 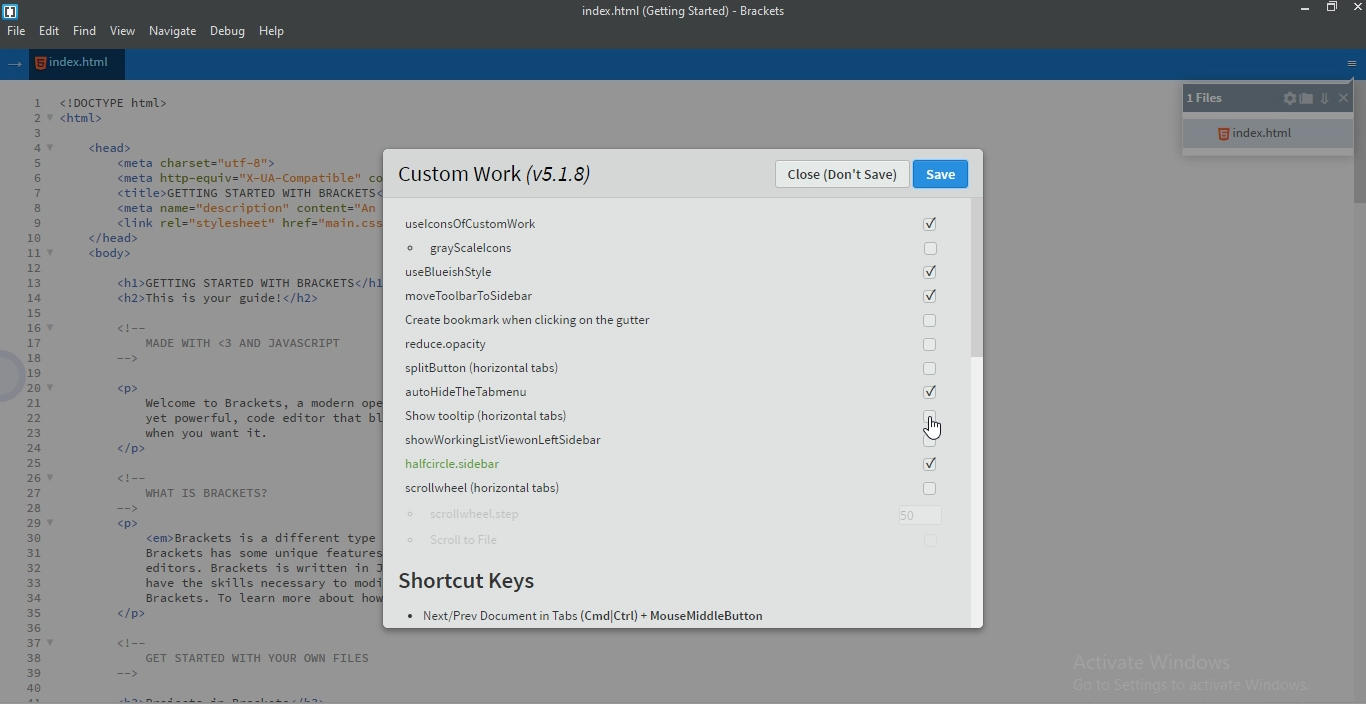 What do you see at coordinates (841, 174) in the screenshot?
I see `Close (Don't Save) ` at bounding box center [841, 174].